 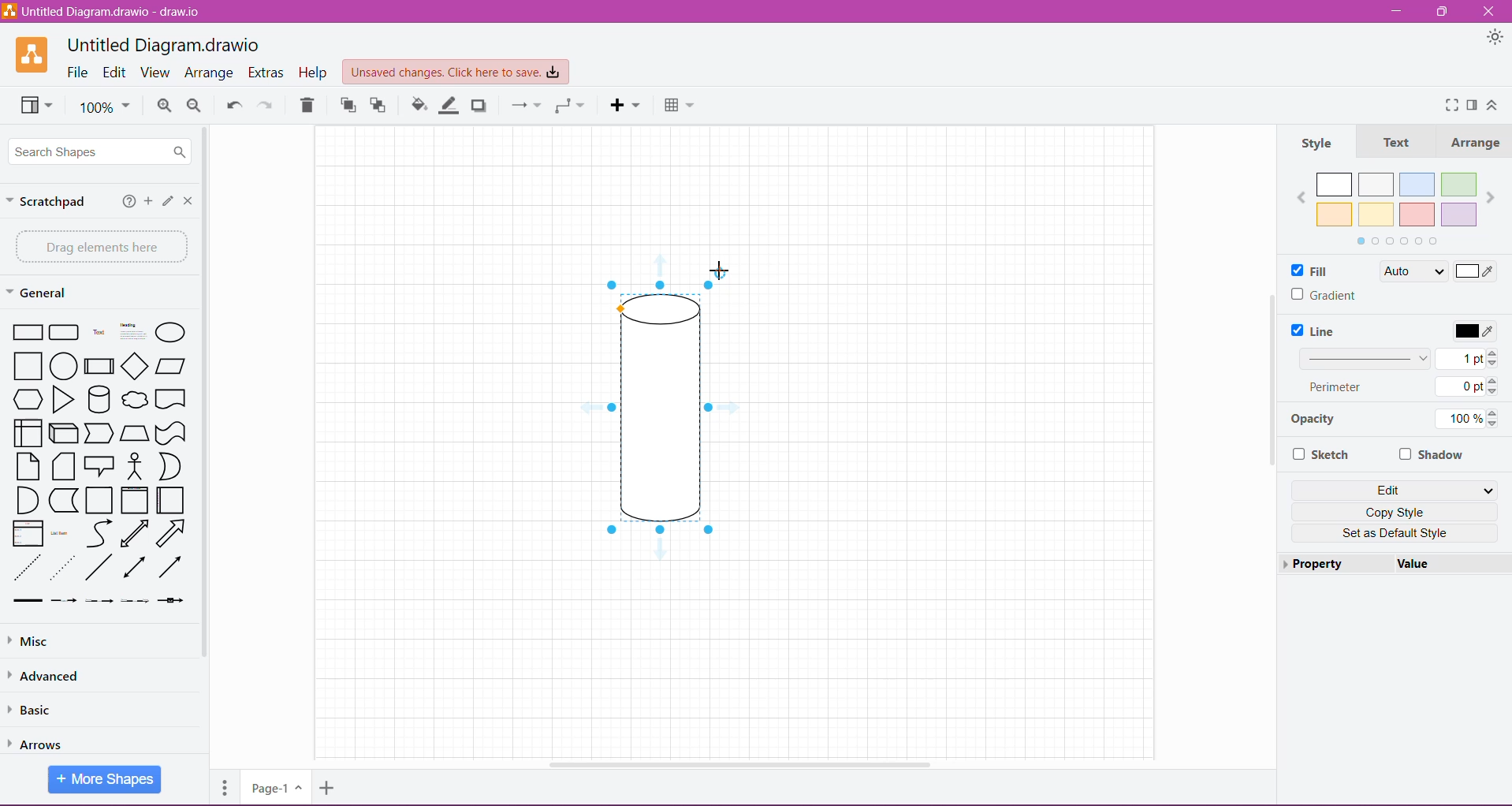 What do you see at coordinates (1272, 378) in the screenshot?
I see `Vertical Scroll Bar` at bounding box center [1272, 378].